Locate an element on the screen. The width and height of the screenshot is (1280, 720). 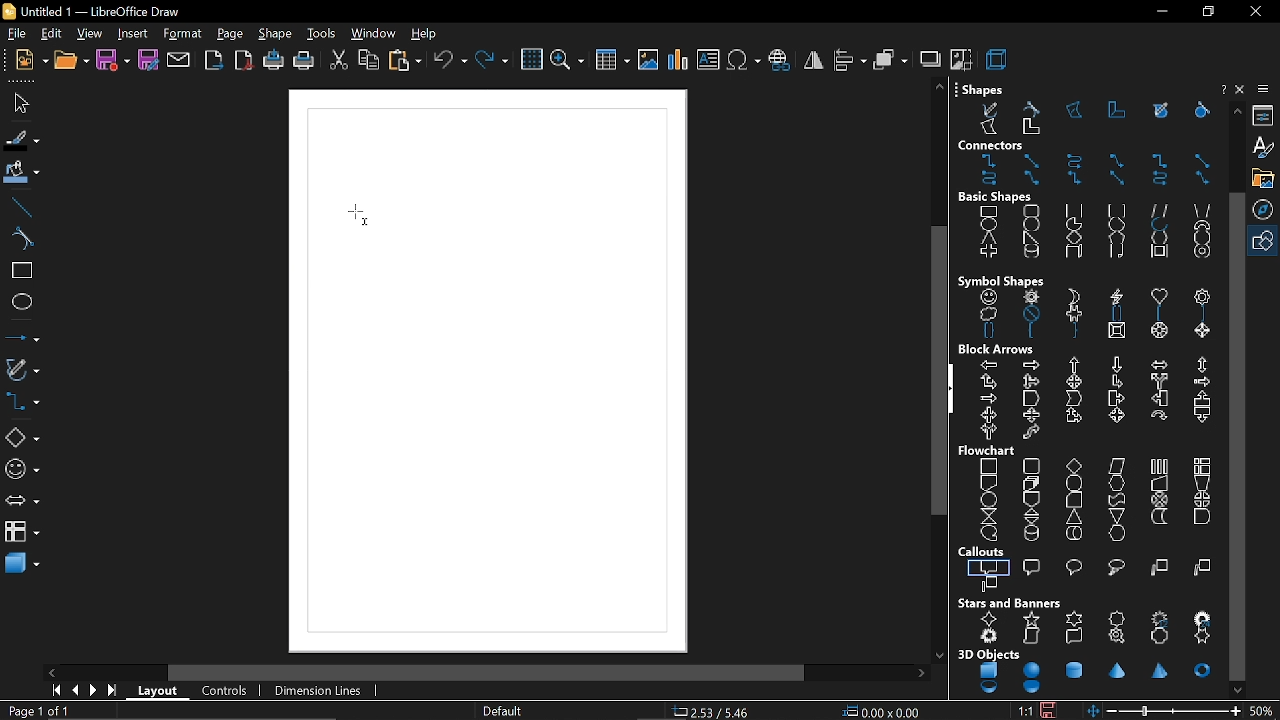
cloud is located at coordinates (1114, 568).